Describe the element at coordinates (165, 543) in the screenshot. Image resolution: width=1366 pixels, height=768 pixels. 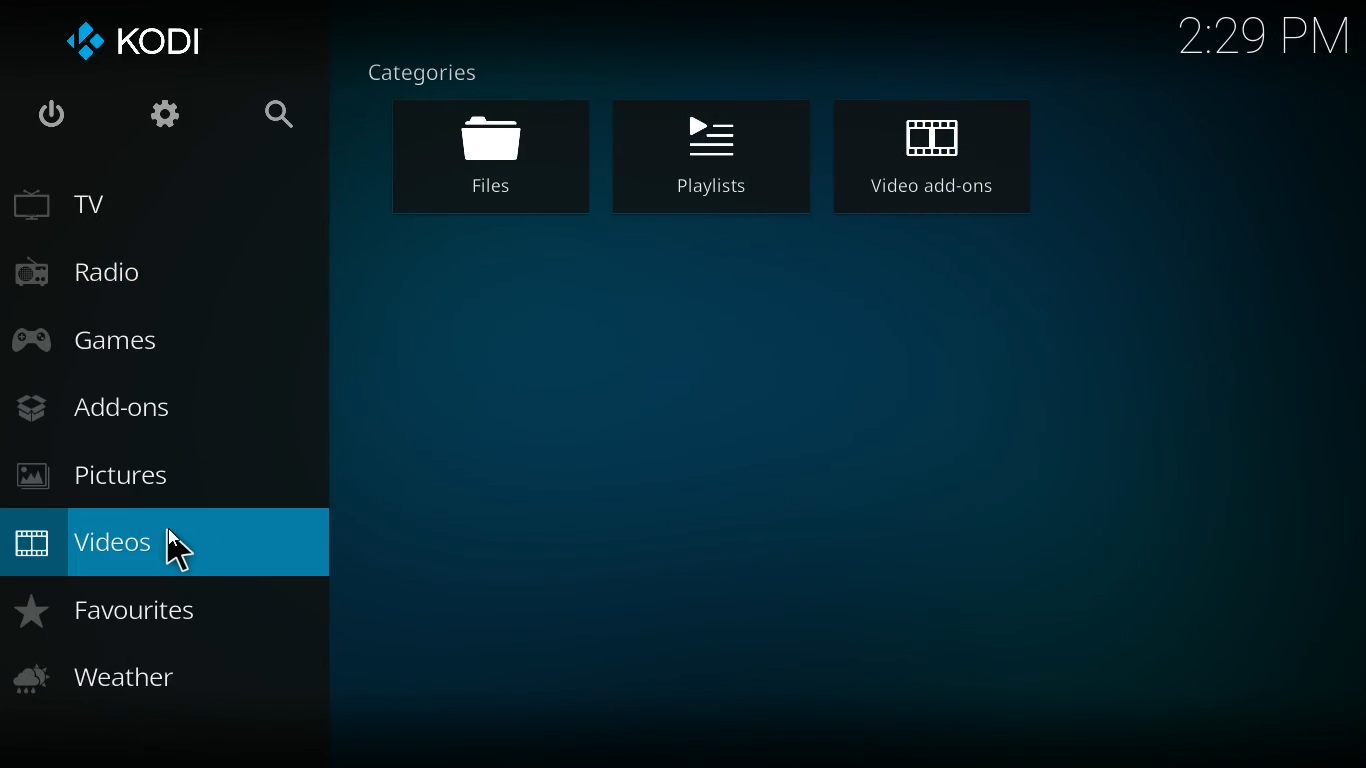
I see `videos` at that location.